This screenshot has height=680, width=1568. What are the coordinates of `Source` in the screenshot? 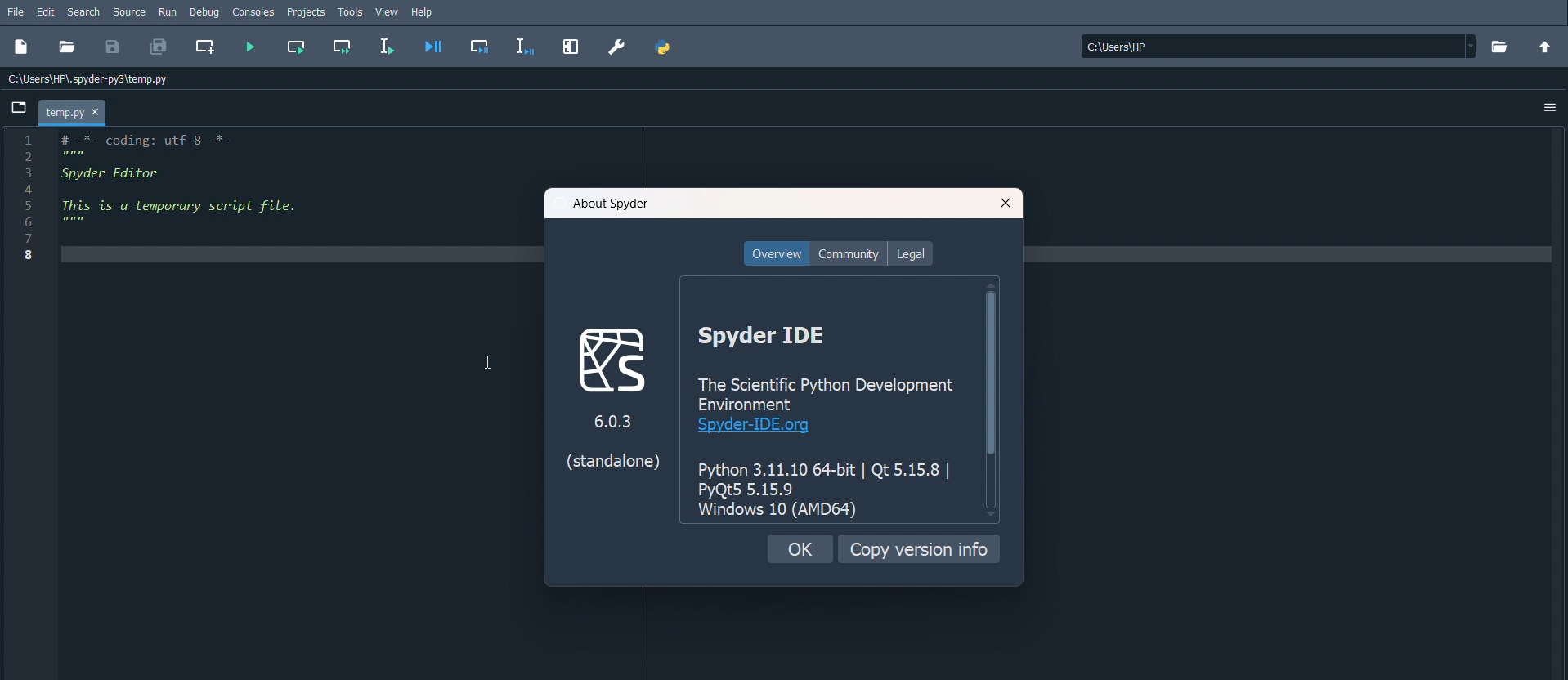 It's located at (129, 13).